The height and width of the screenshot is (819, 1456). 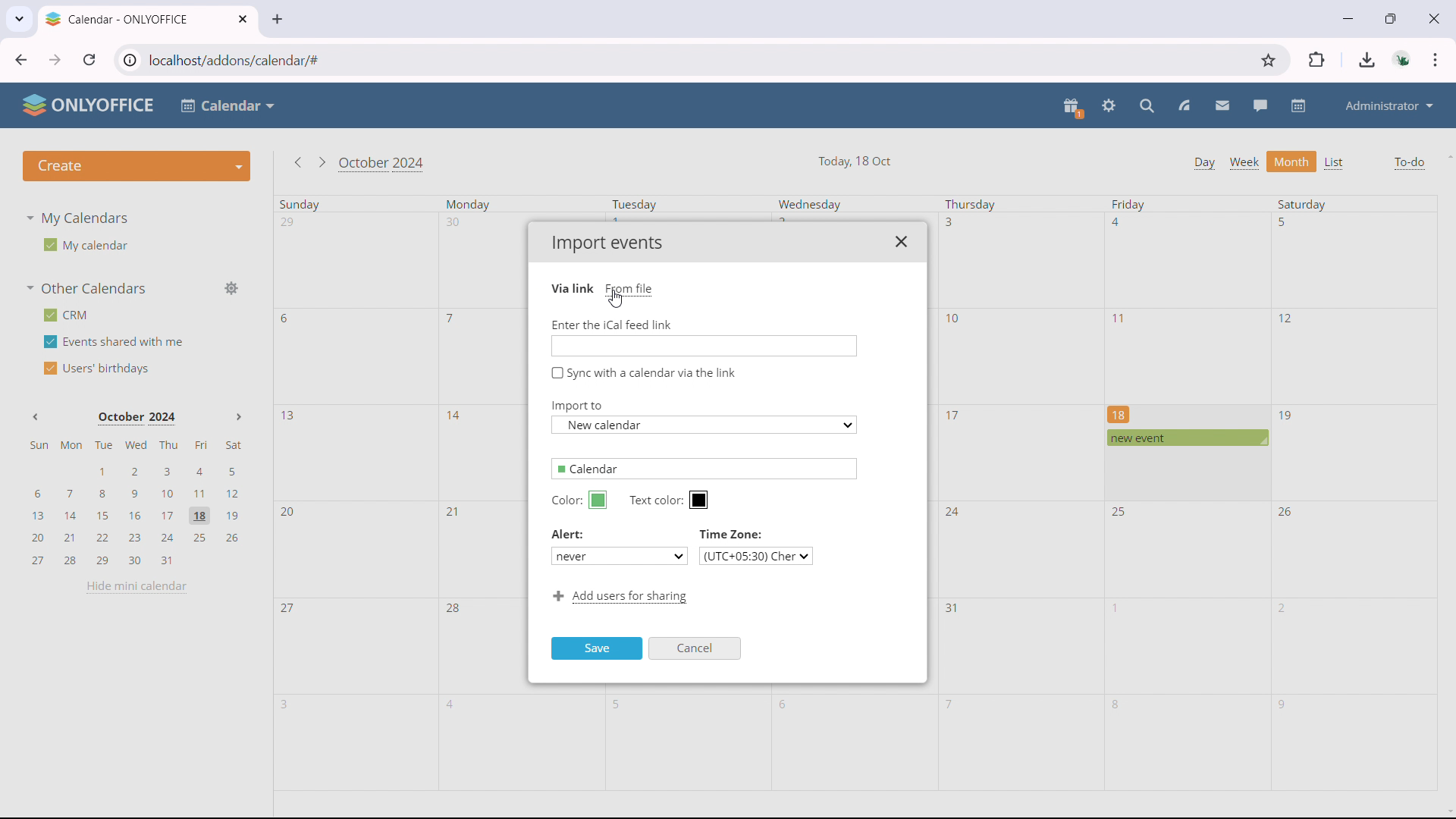 I want to click on day, so click(x=1204, y=163).